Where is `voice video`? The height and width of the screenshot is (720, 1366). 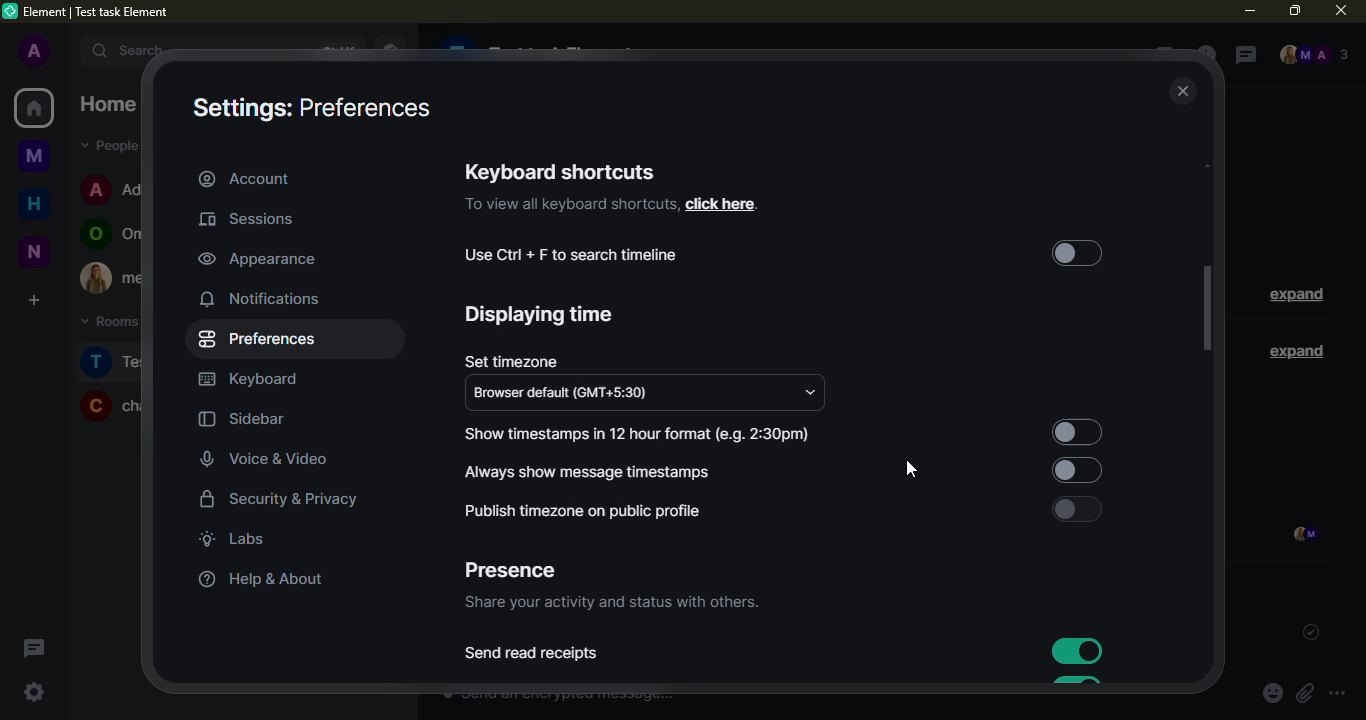
voice video is located at coordinates (278, 457).